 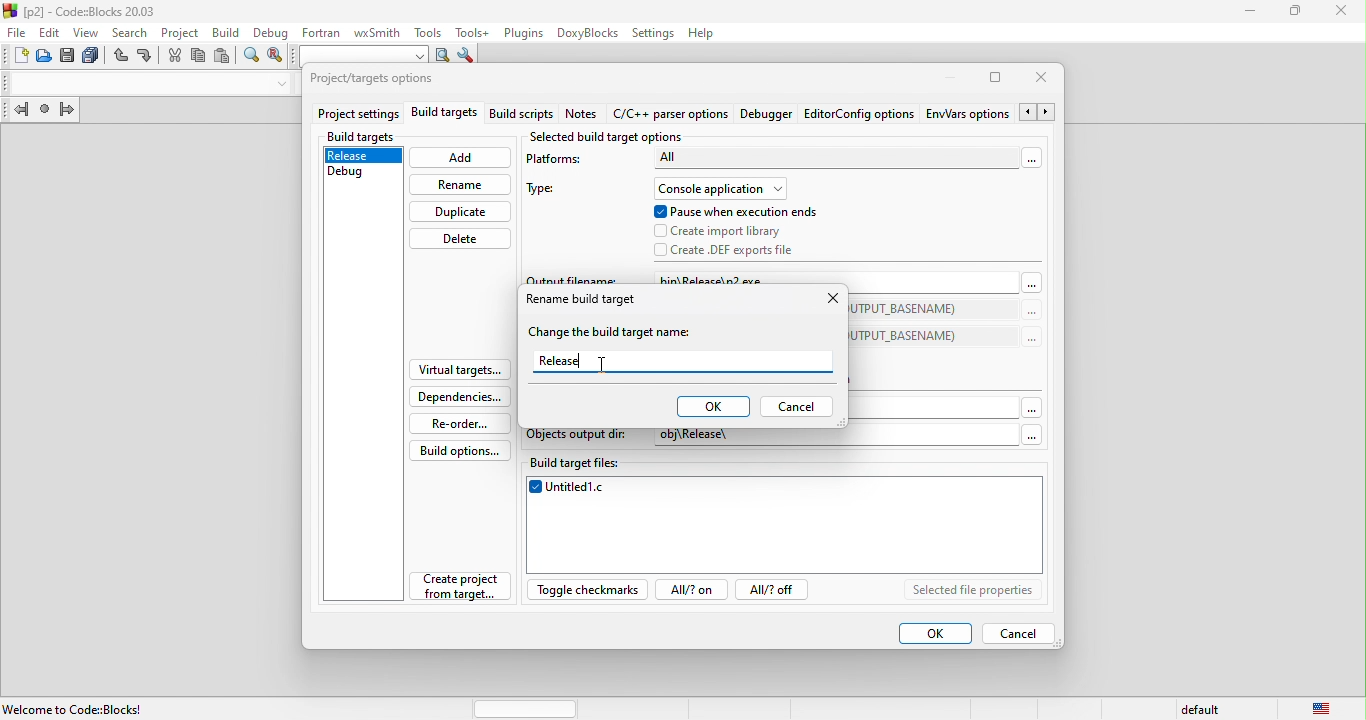 What do you see at coordinates (549, 191) in the screenshot?
I see `type` at bounding box center [549, 191].